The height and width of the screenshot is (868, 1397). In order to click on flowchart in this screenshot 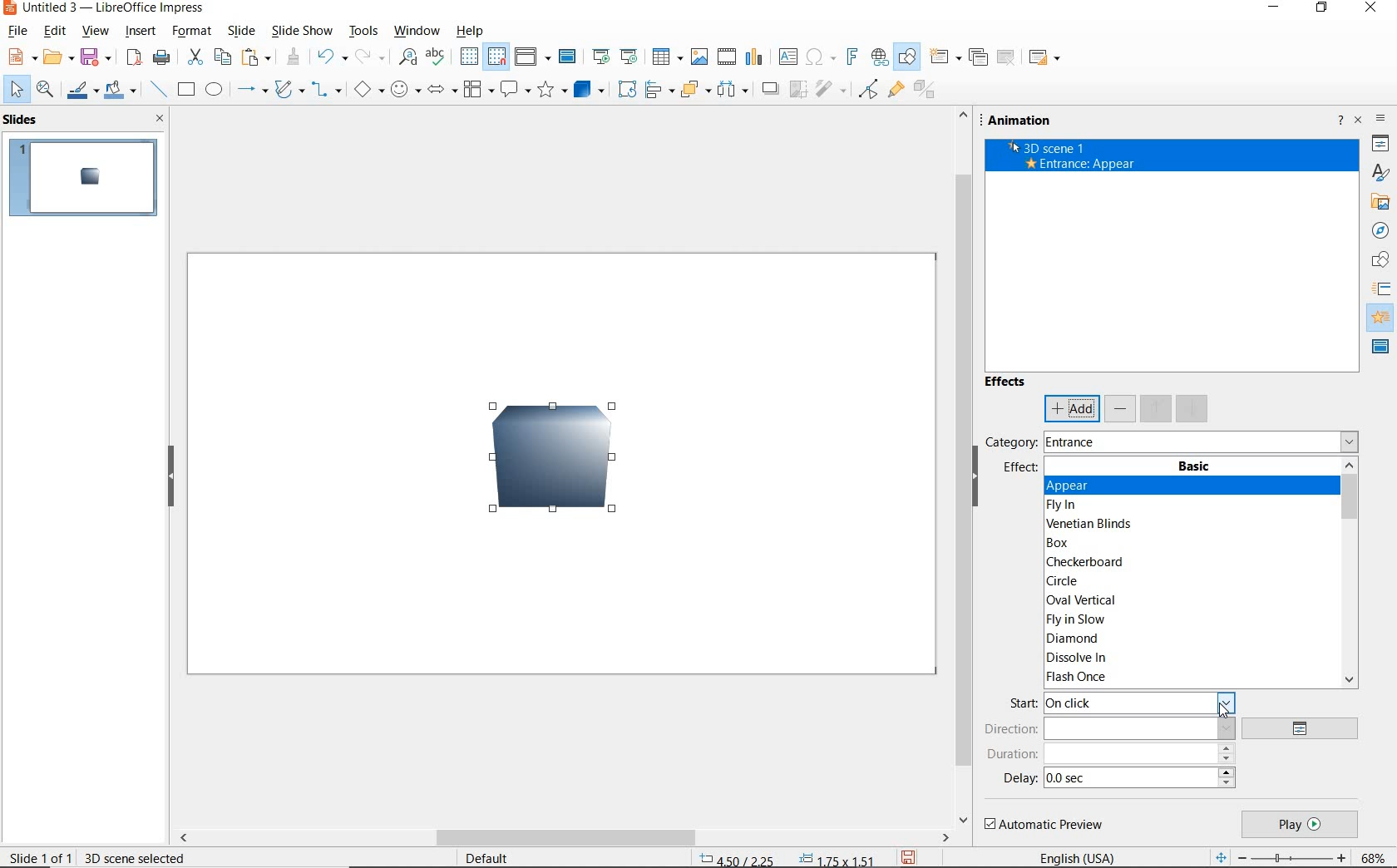, I will do `click(477, 91)`.